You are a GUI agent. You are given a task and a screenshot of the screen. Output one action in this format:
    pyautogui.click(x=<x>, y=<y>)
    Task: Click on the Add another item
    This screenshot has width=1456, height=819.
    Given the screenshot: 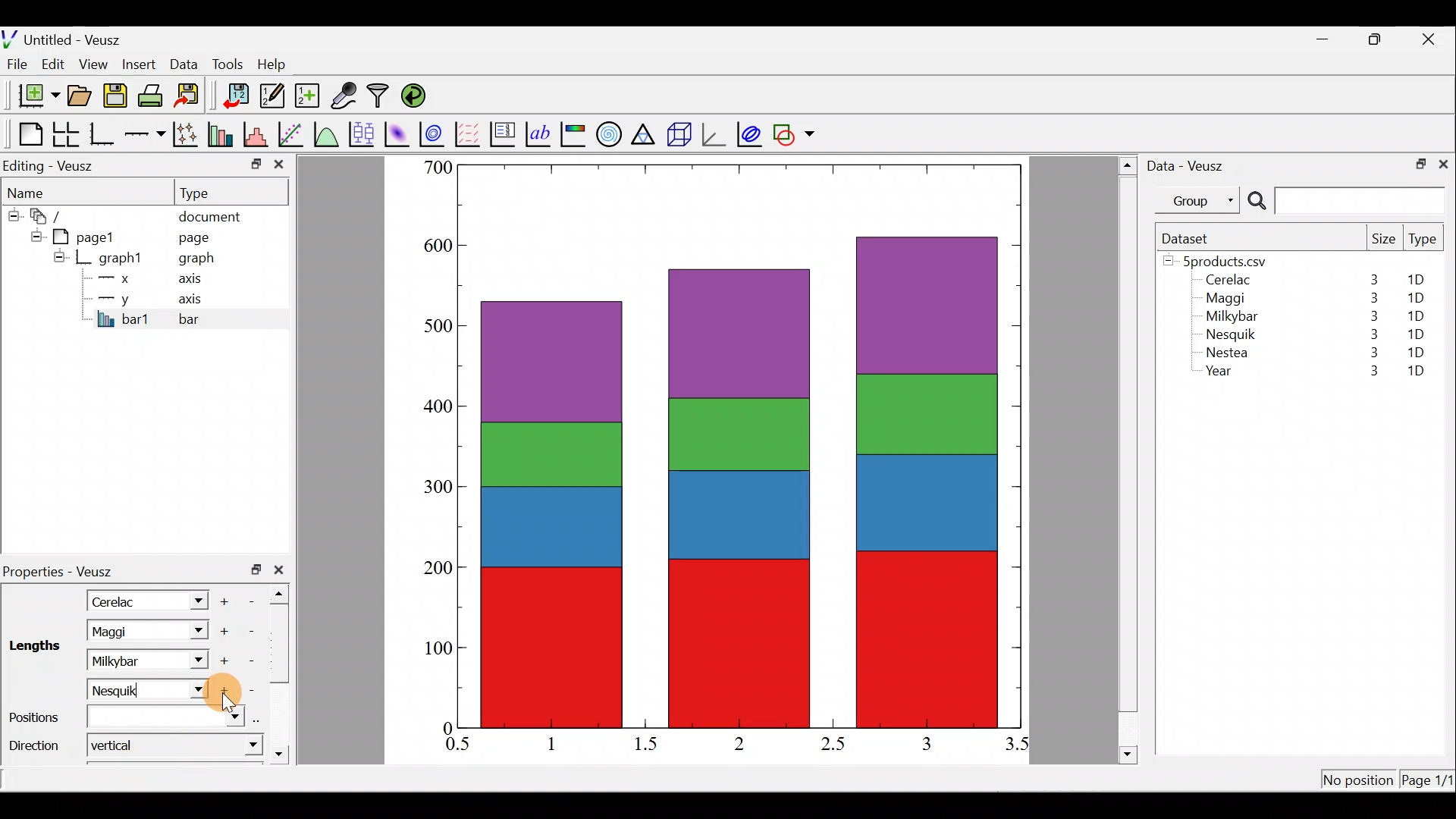 What is the action you would take?
    pyautogui.click(x=227, y=599)
    